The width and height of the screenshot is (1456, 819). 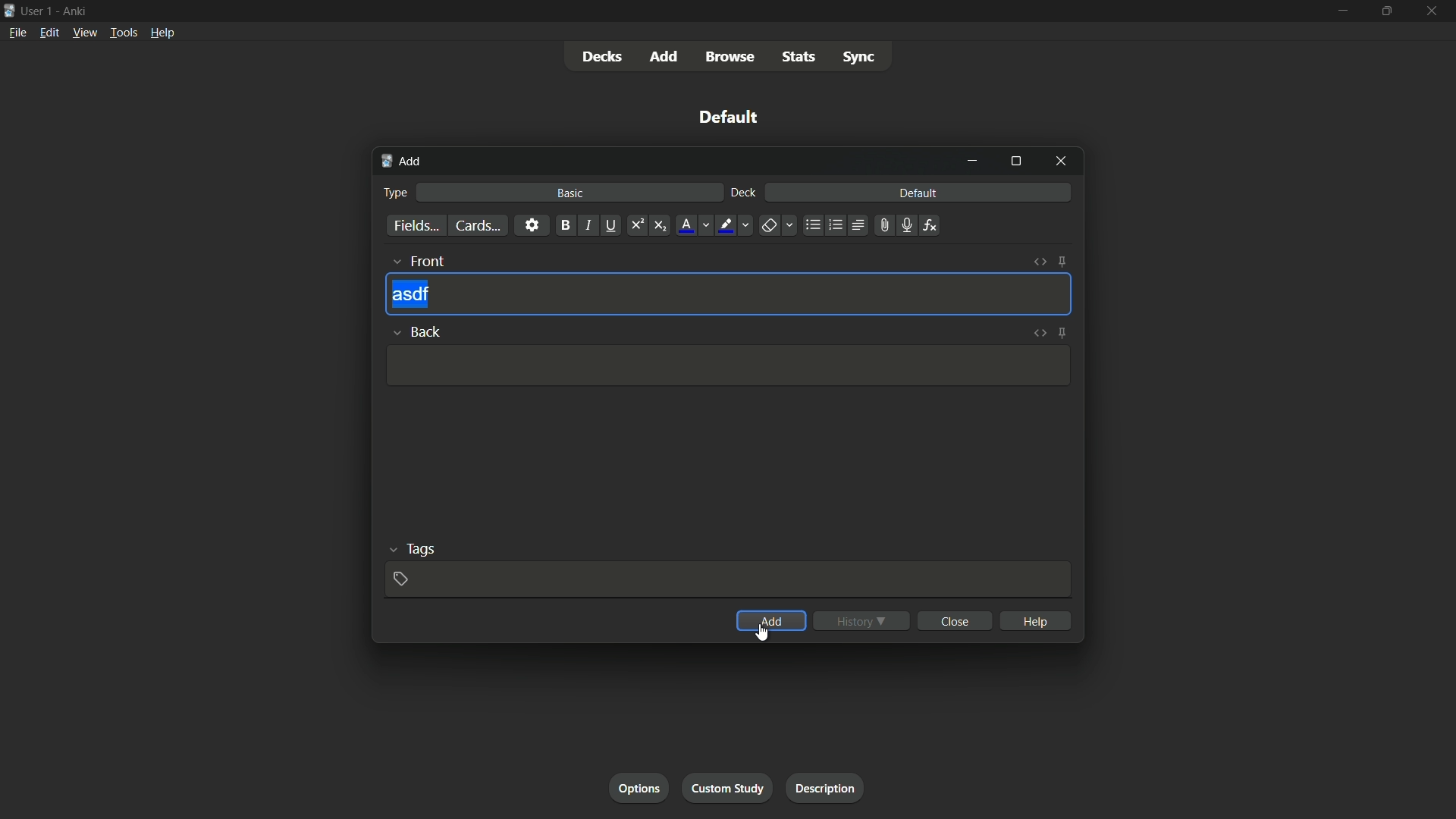 What do you see at coordinates (611, 225) in the screenshot?
I see `underline` at bounding box center [611, 225].